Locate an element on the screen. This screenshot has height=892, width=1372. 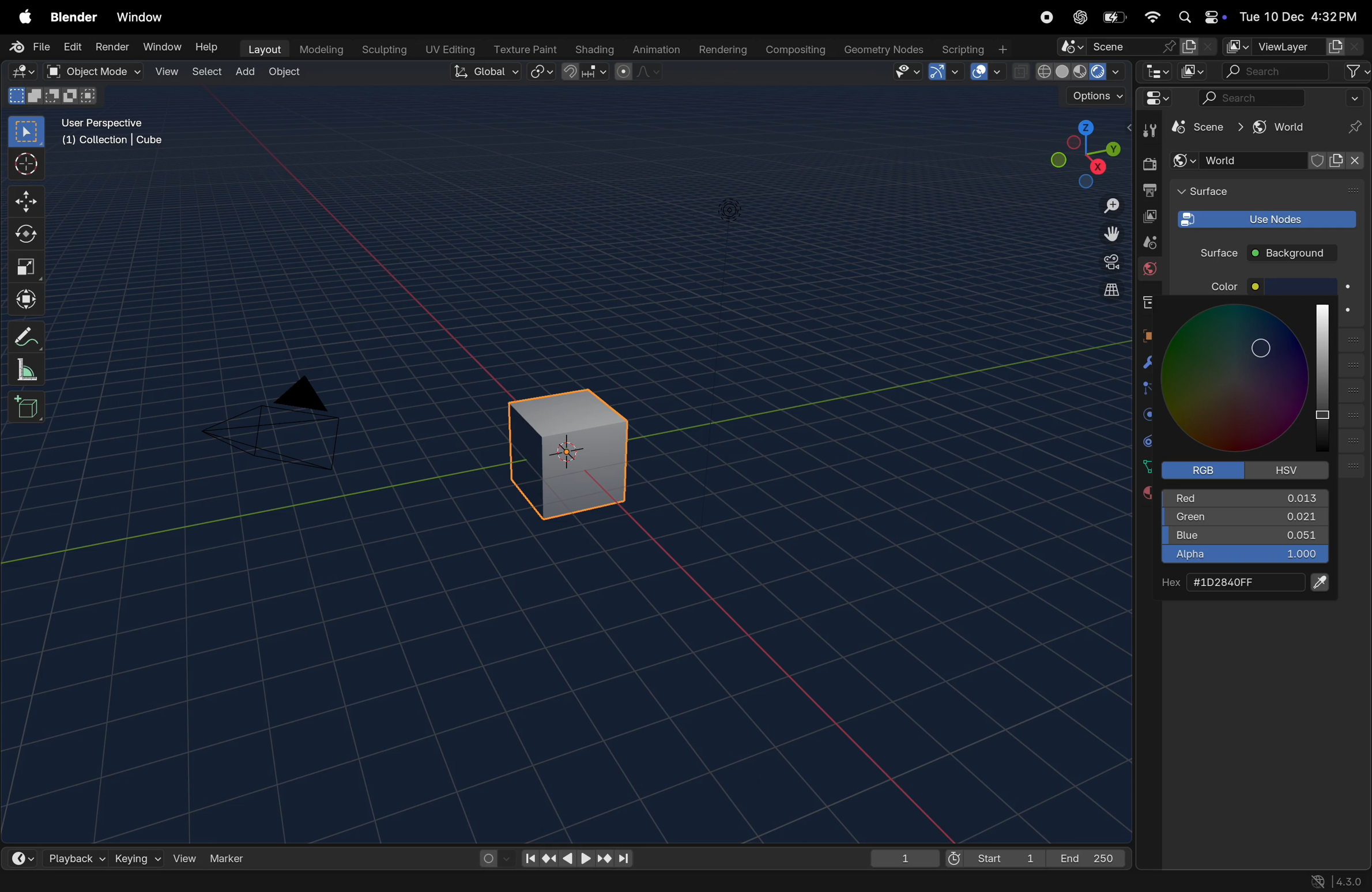
Layout is located at coordinates (262, 49).